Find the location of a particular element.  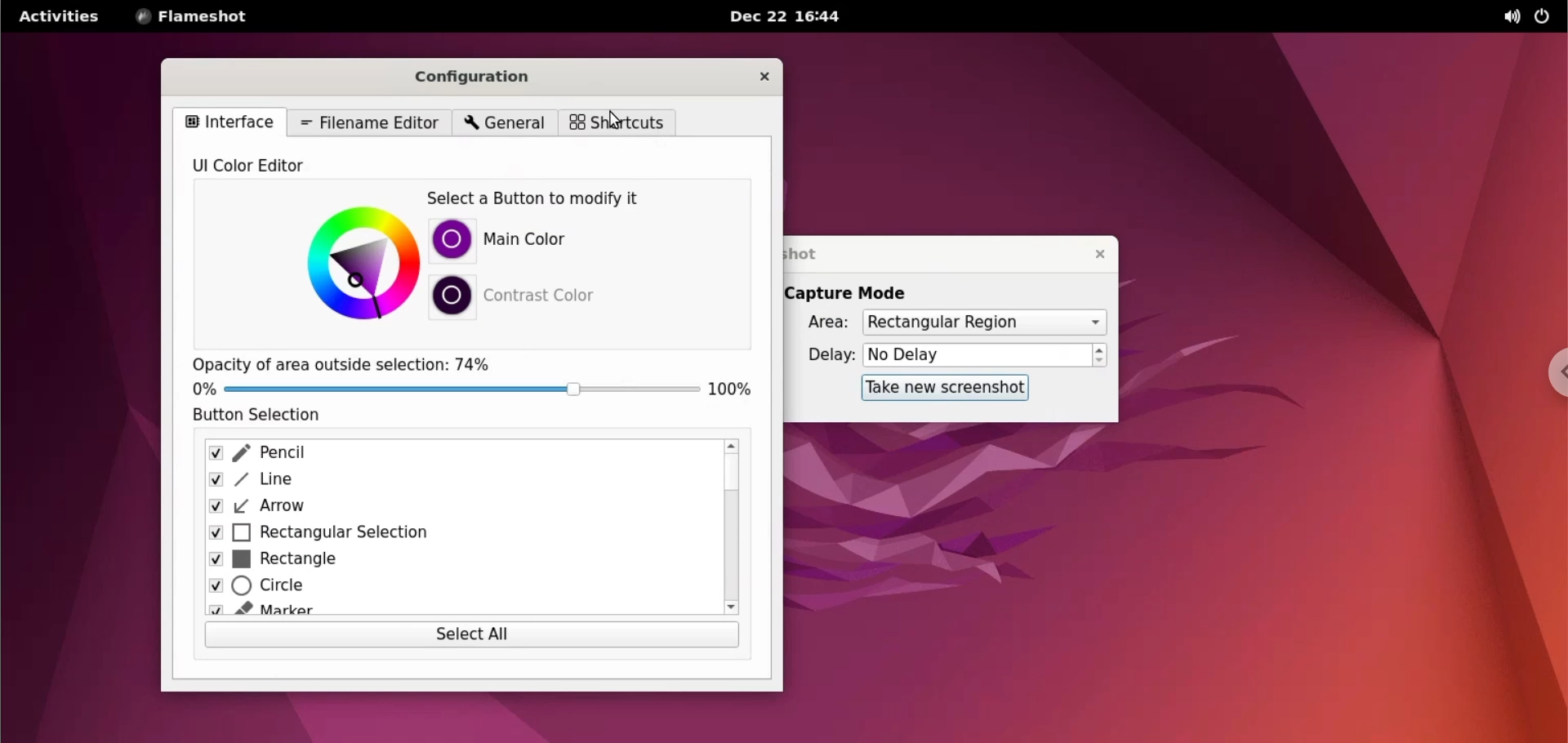

shortcuts is located at coordinates (623, 123).